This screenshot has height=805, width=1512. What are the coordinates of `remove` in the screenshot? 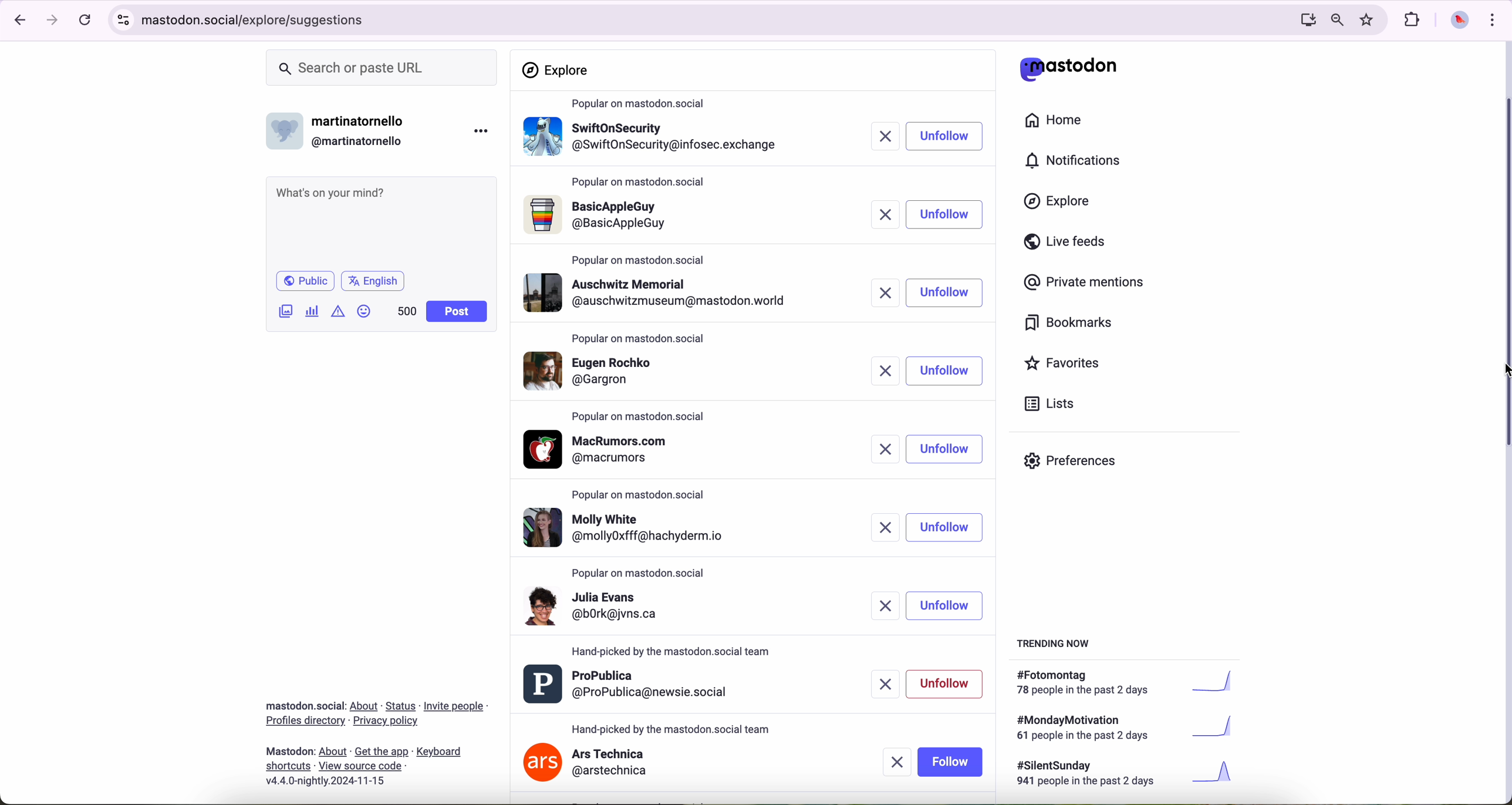 It's located at (880, 681).